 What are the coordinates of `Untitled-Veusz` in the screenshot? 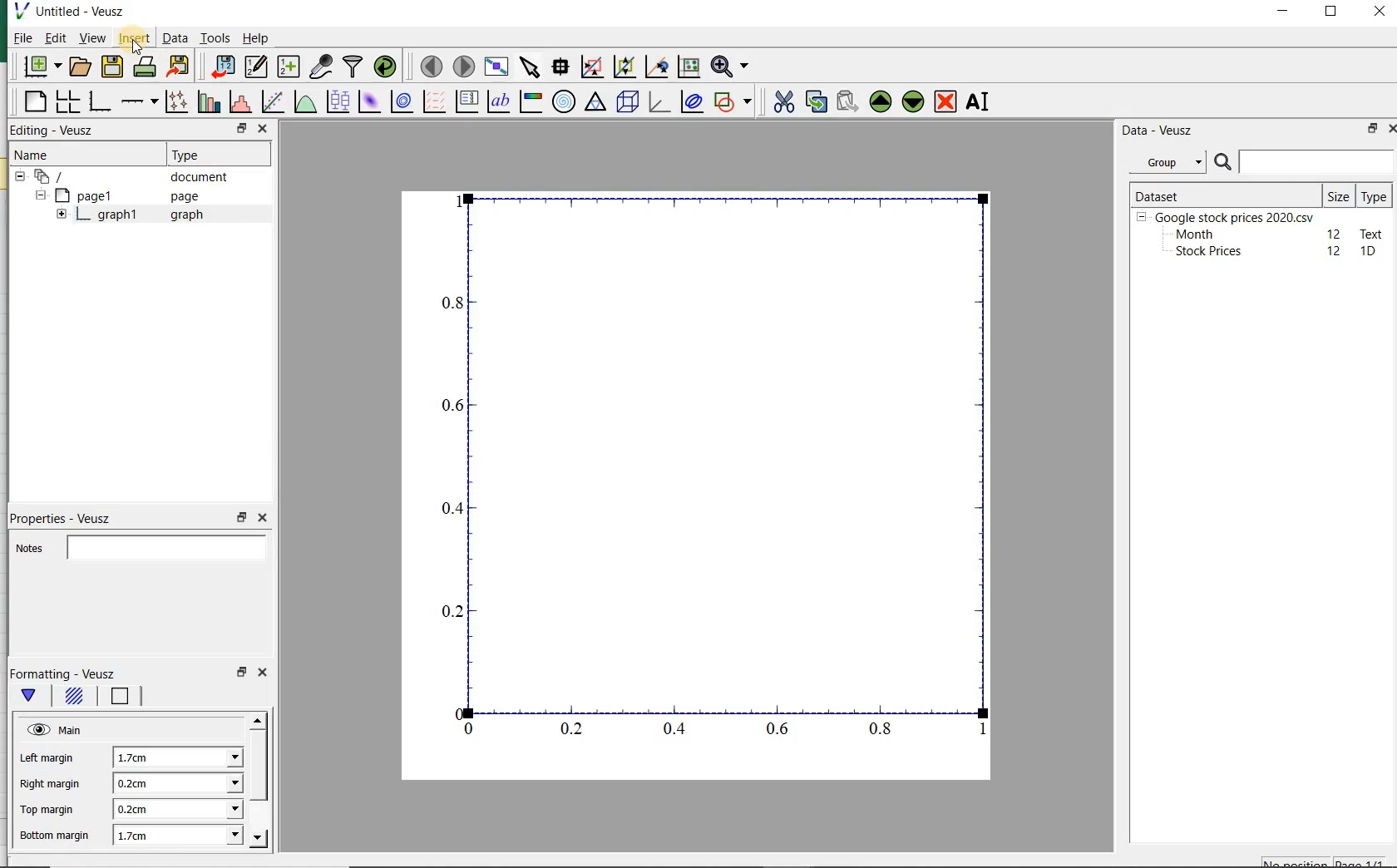 It's located at (77, 12).